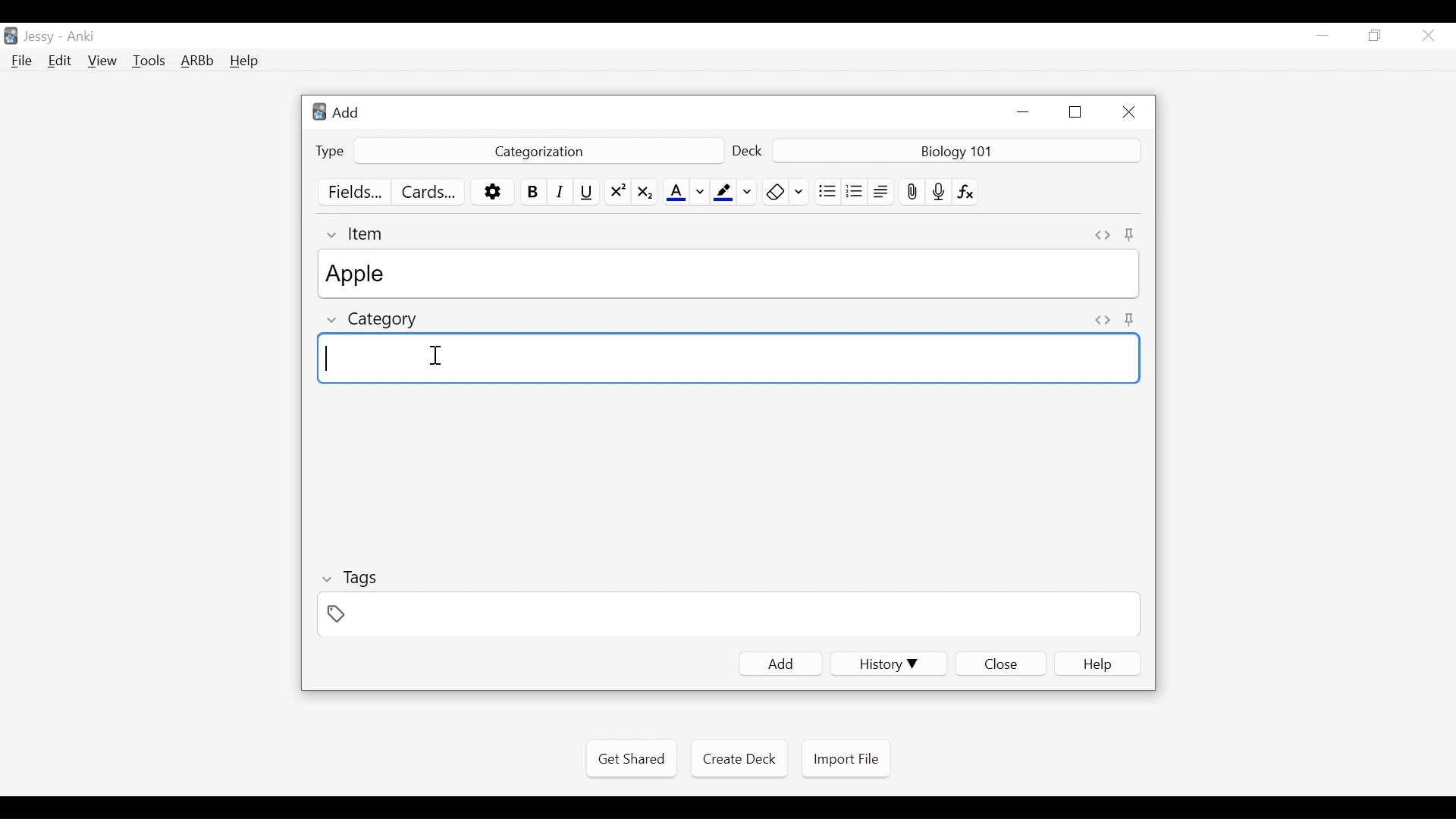 The width and height of the screenshot is (1456, 819). Describe the element at coordinates (1131, 236) in the screenshot. I see `Toggle Sticky` at that location.